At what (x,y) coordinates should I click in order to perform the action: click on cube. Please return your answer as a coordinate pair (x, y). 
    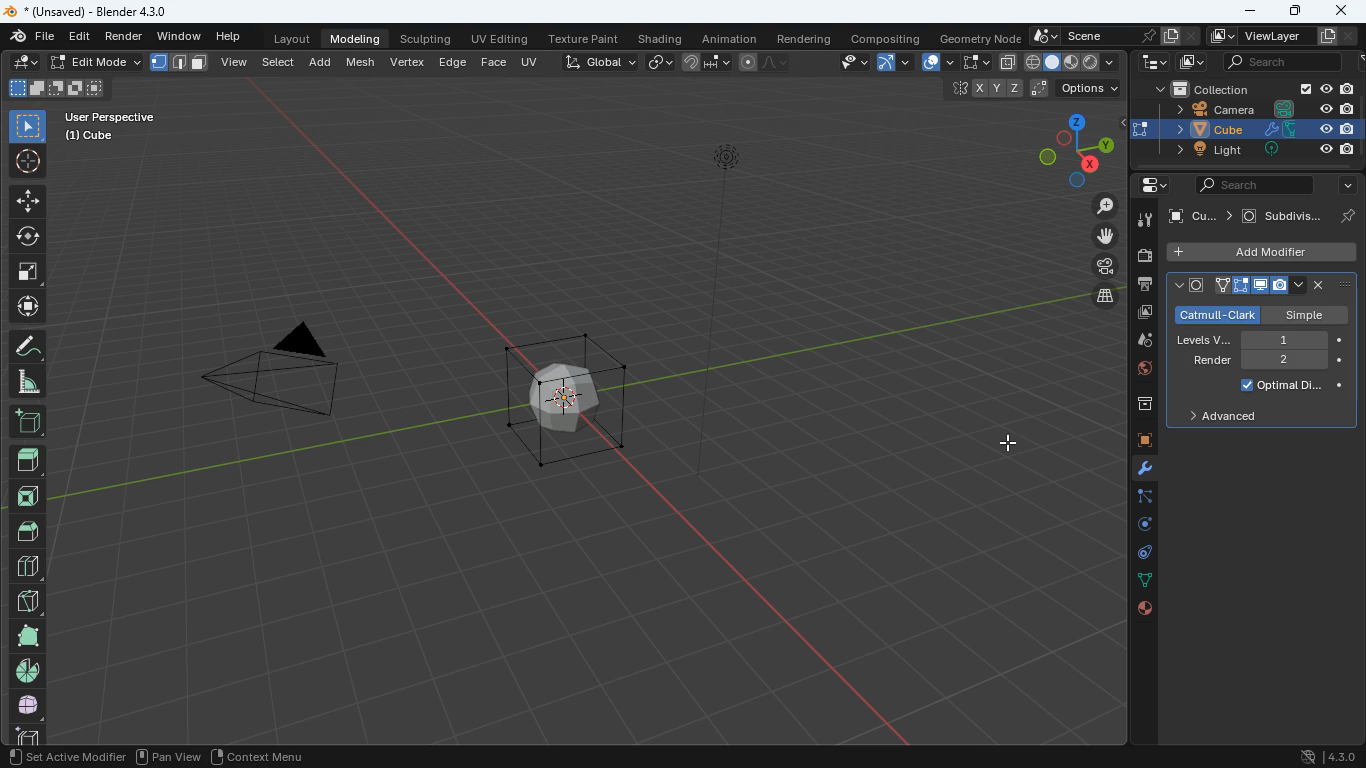
    Looking at the image, I should click on (1141, 442).